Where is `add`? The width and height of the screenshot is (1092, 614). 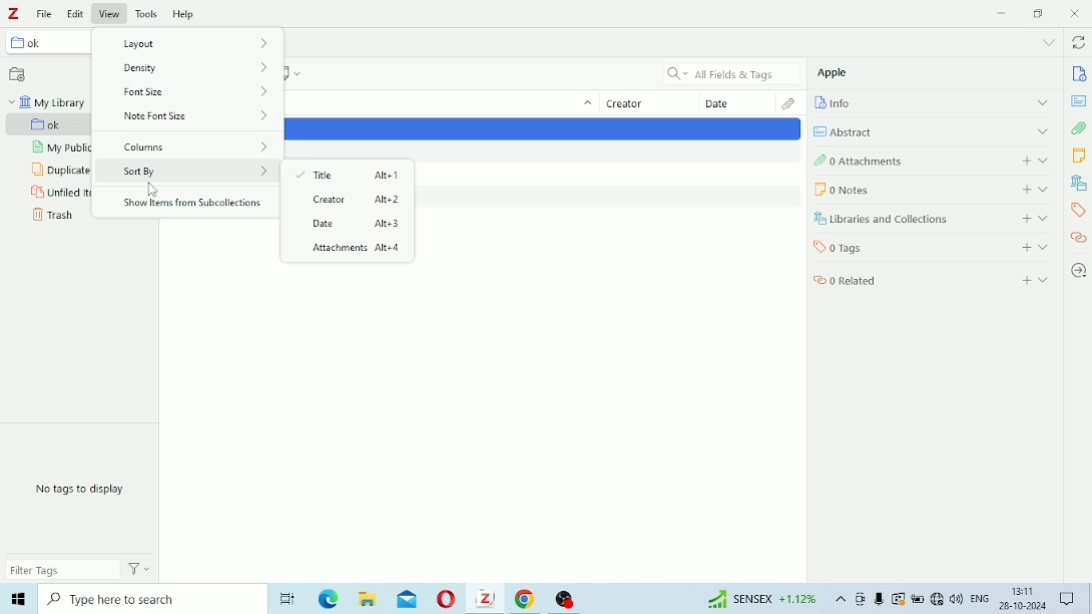 add is located at coordinates (1023, 188).